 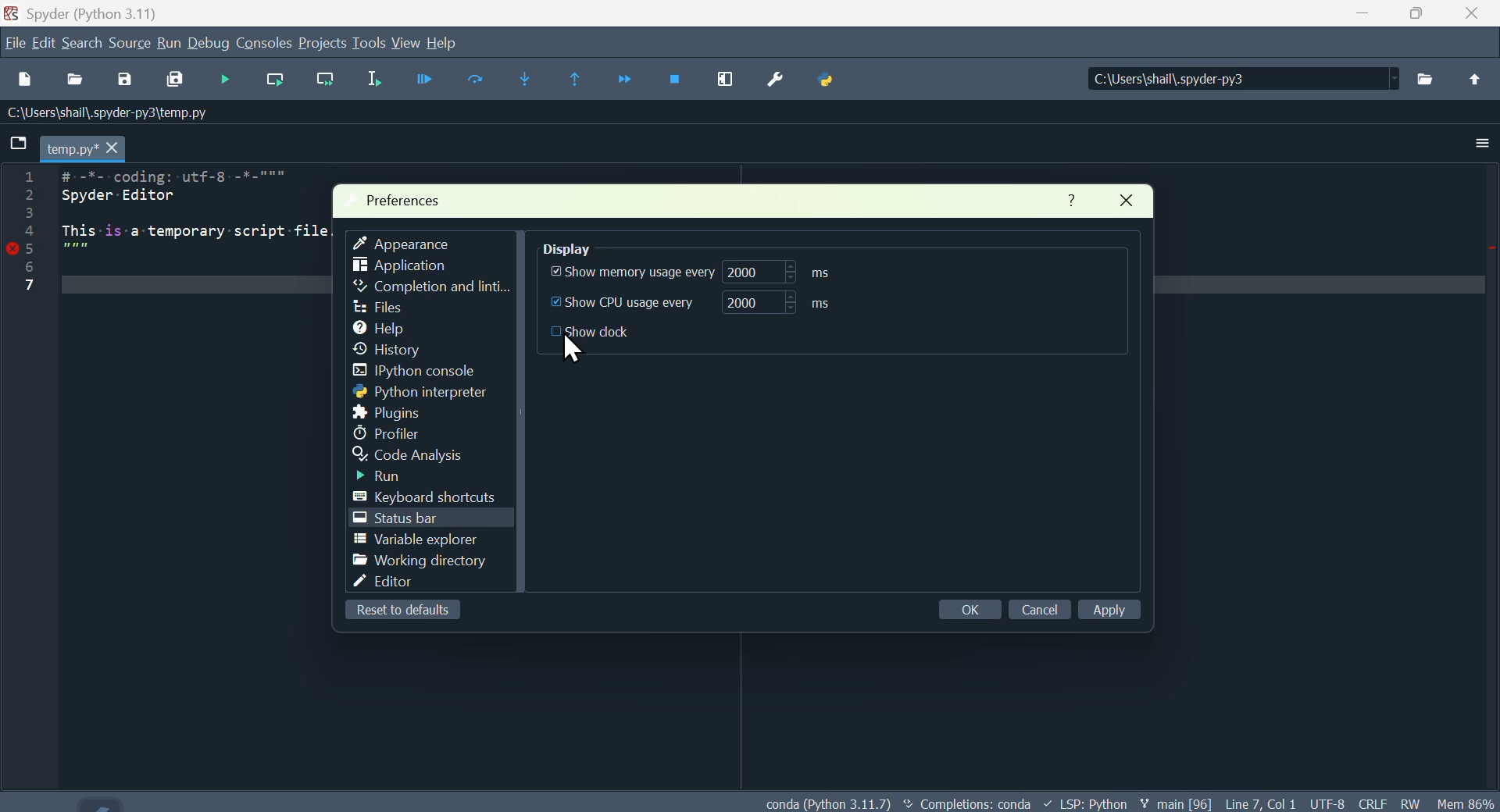 I want to click on Reset to default, so click(x=401, y=611).